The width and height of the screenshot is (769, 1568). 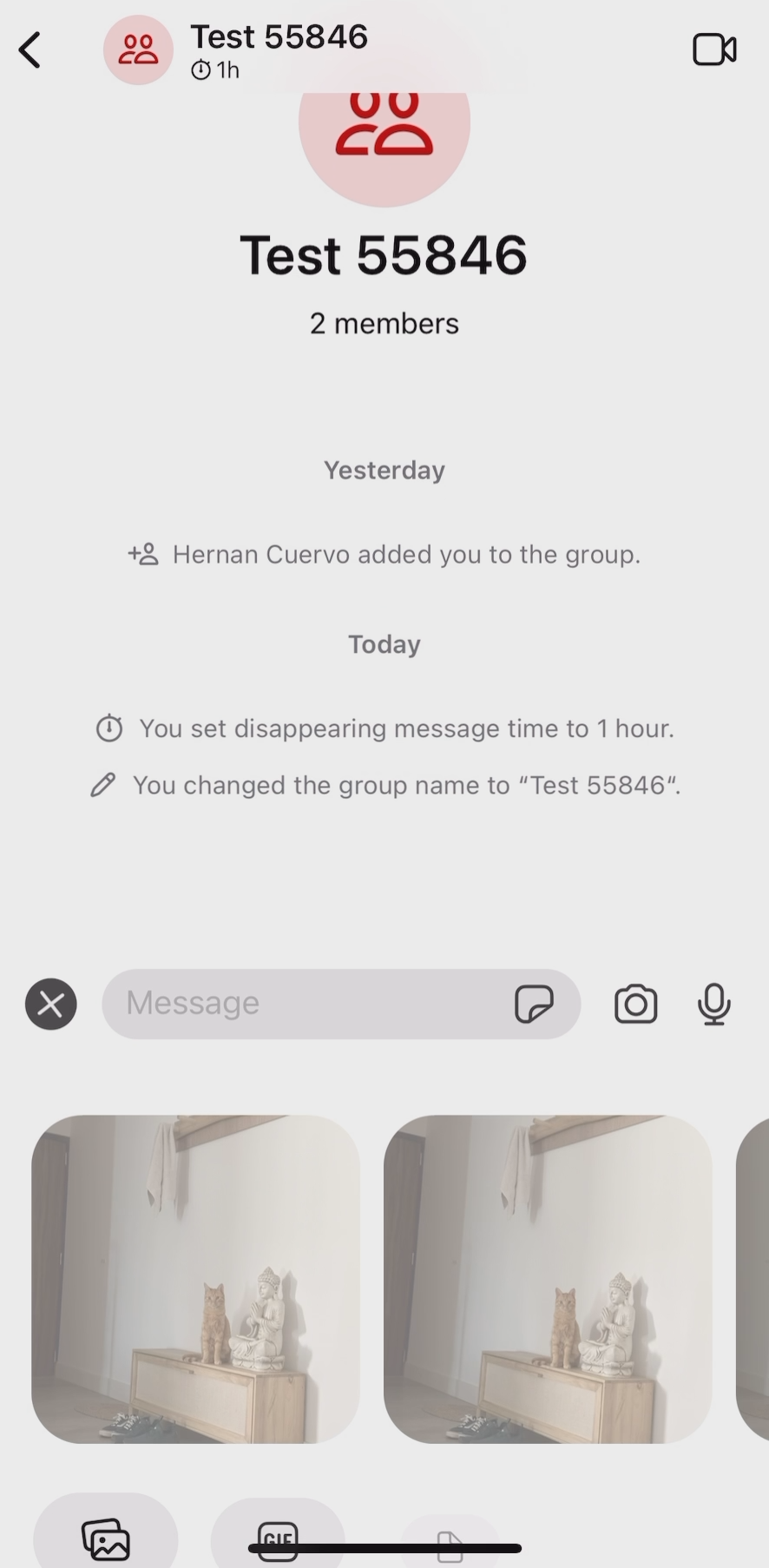 I want to click on voice record, so click(x=714, y=995).